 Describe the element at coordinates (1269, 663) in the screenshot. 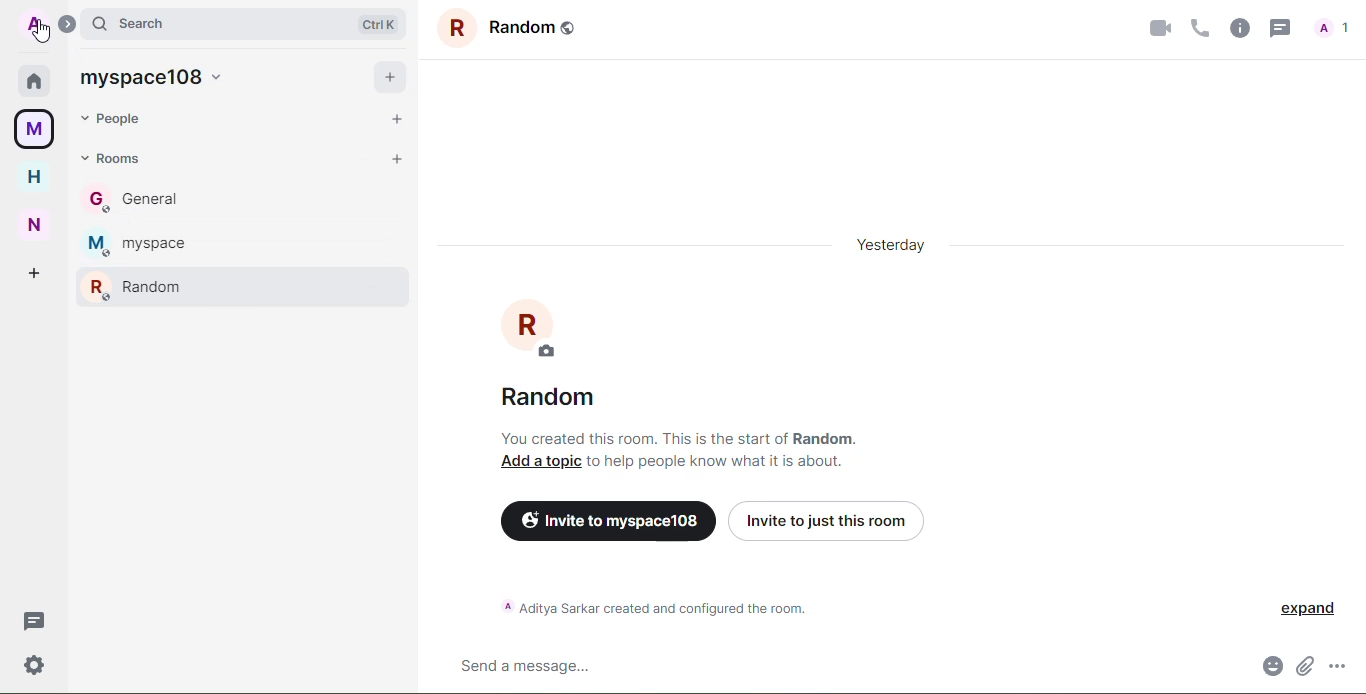

I see `emoji` at that location.